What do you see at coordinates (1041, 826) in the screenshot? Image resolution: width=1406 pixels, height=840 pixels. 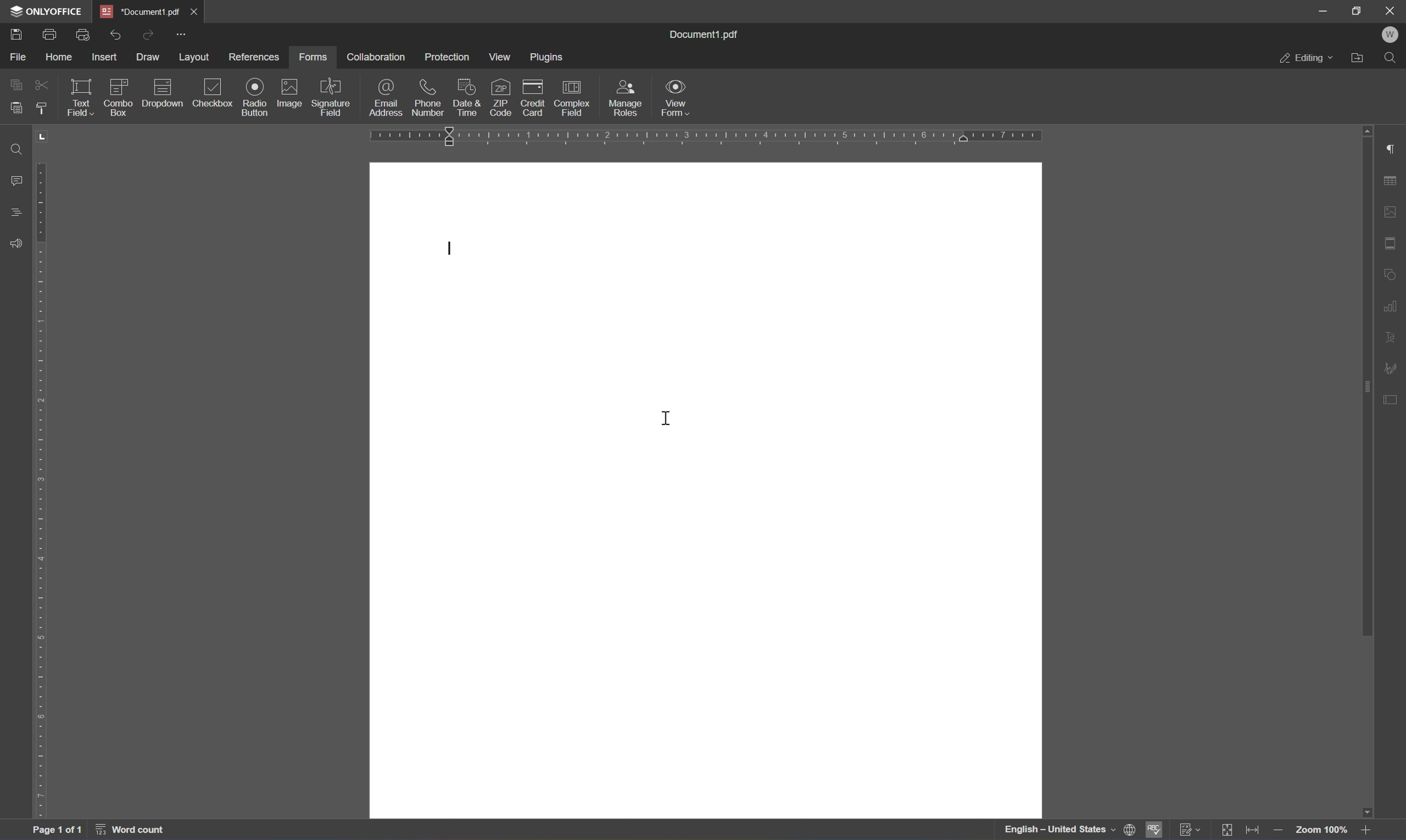 I see `english - united states` at bounding box center [1041, 826].